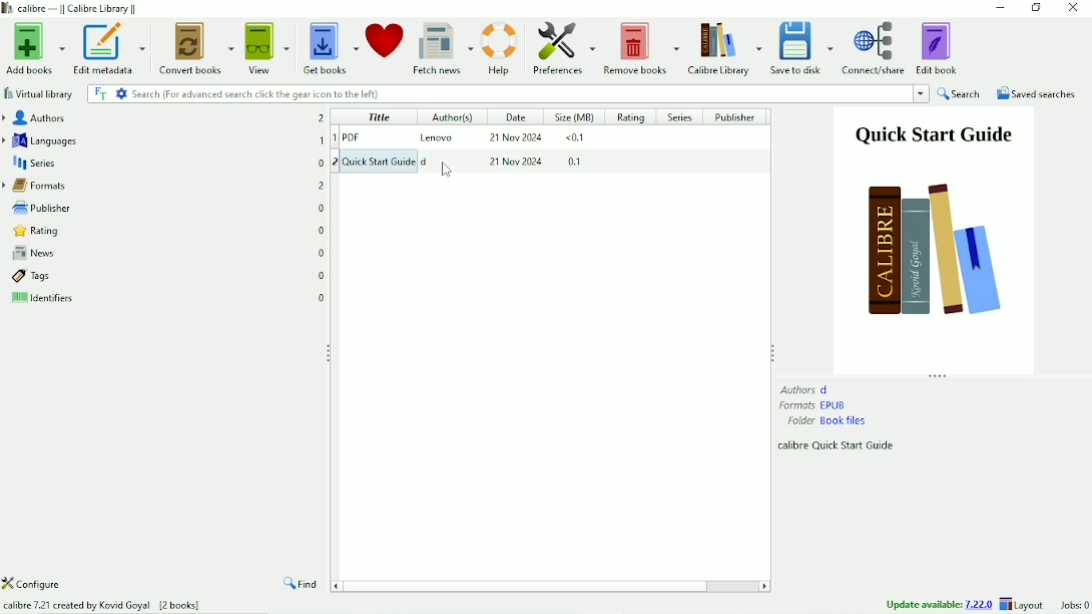 The image size is (1092, 614). What do you see at coordinates (302, 585) in the screenshot?
I see `Find` at bounding box center [302, 585].